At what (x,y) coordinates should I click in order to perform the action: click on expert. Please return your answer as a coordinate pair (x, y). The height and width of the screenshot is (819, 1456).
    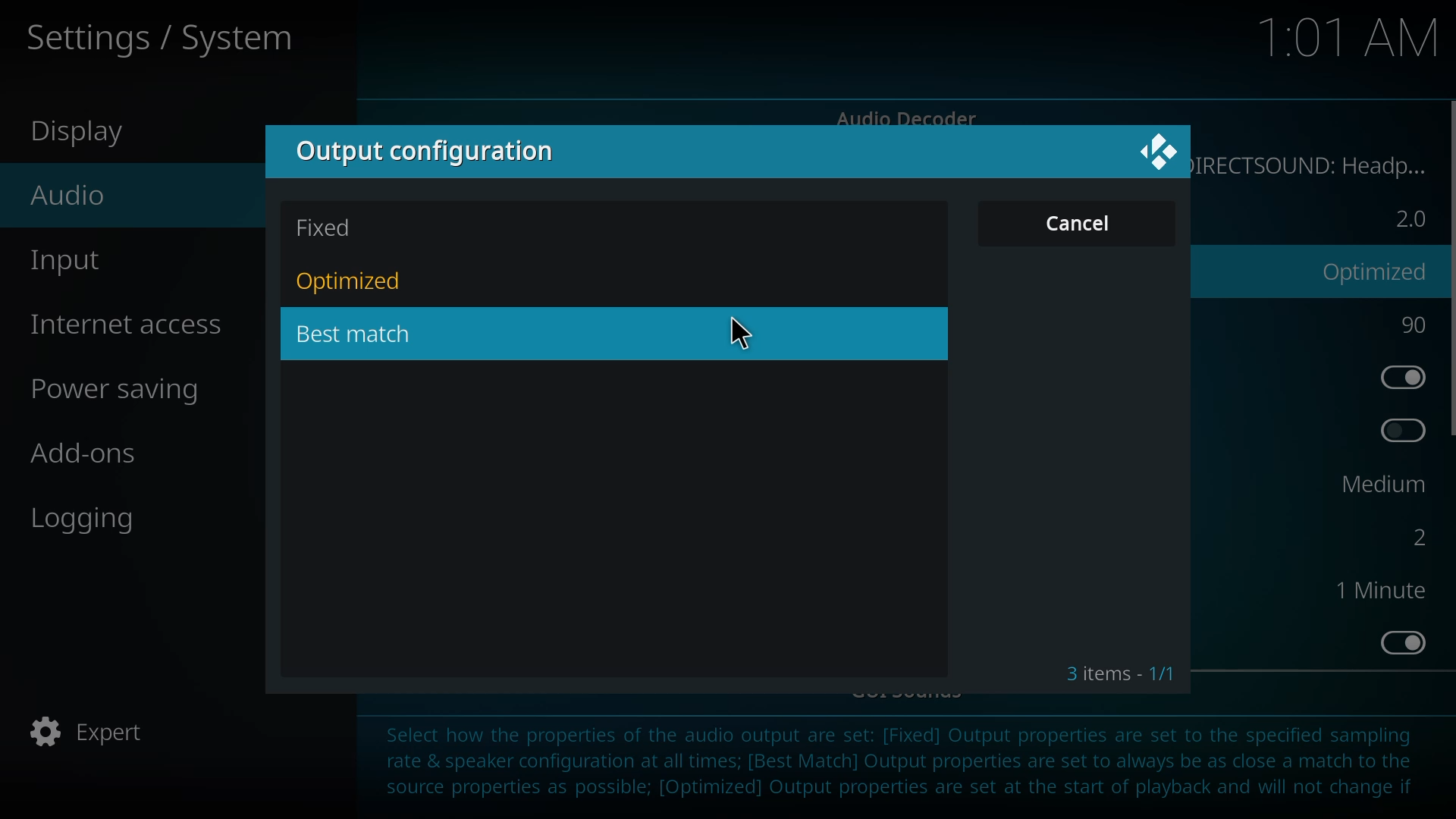
    Looking at the image, I should click on (90, 730).